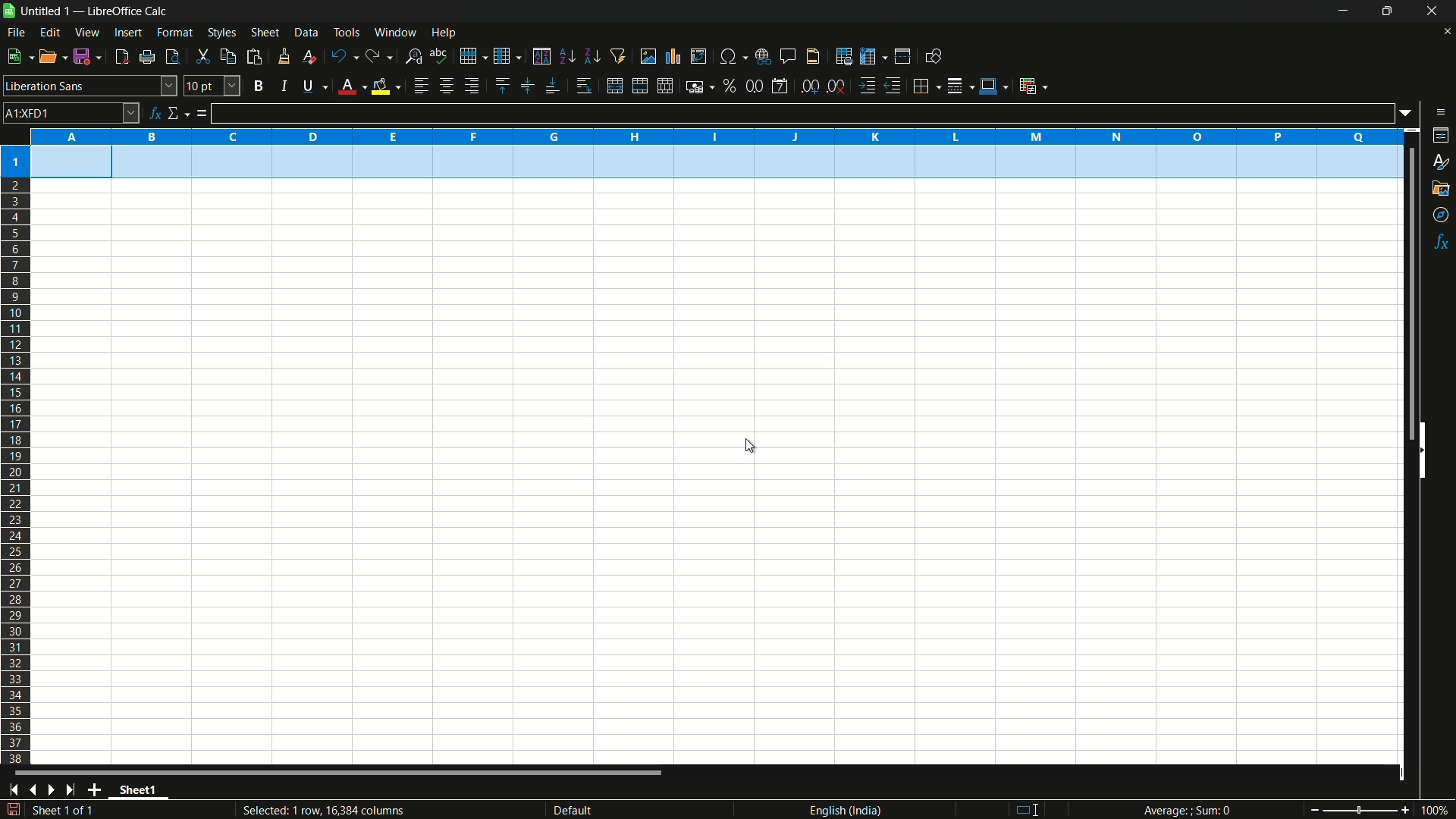 The height and width of the screenshot is (819, 1456). Describe the element at coordinates (439, 55) in the screenshot. I see `spelling` at that location.